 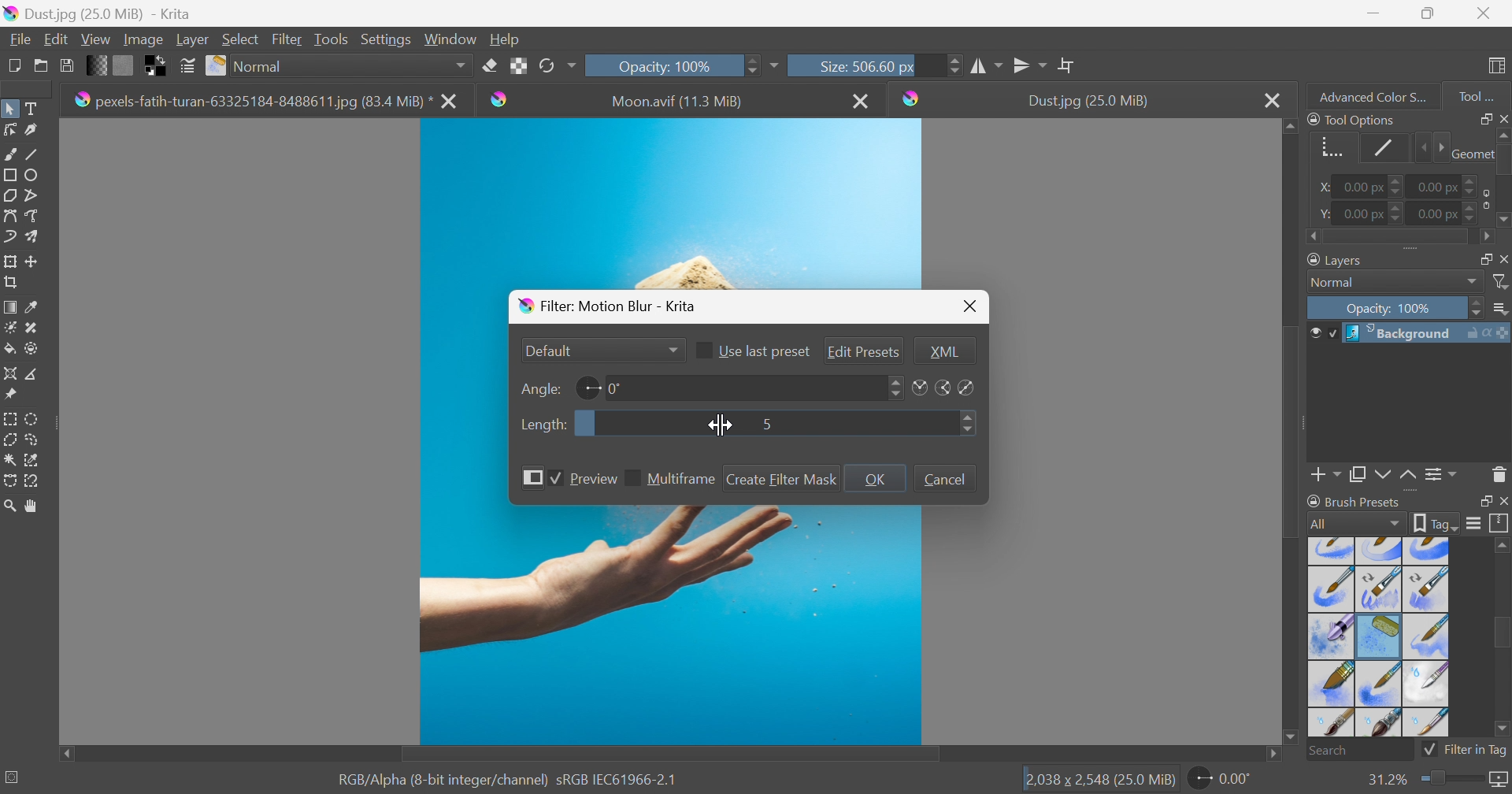 What do you see at coordinates (9, 129) in the screenshot?
I see `Edit shapes tool` at bounding box center [9, 129].